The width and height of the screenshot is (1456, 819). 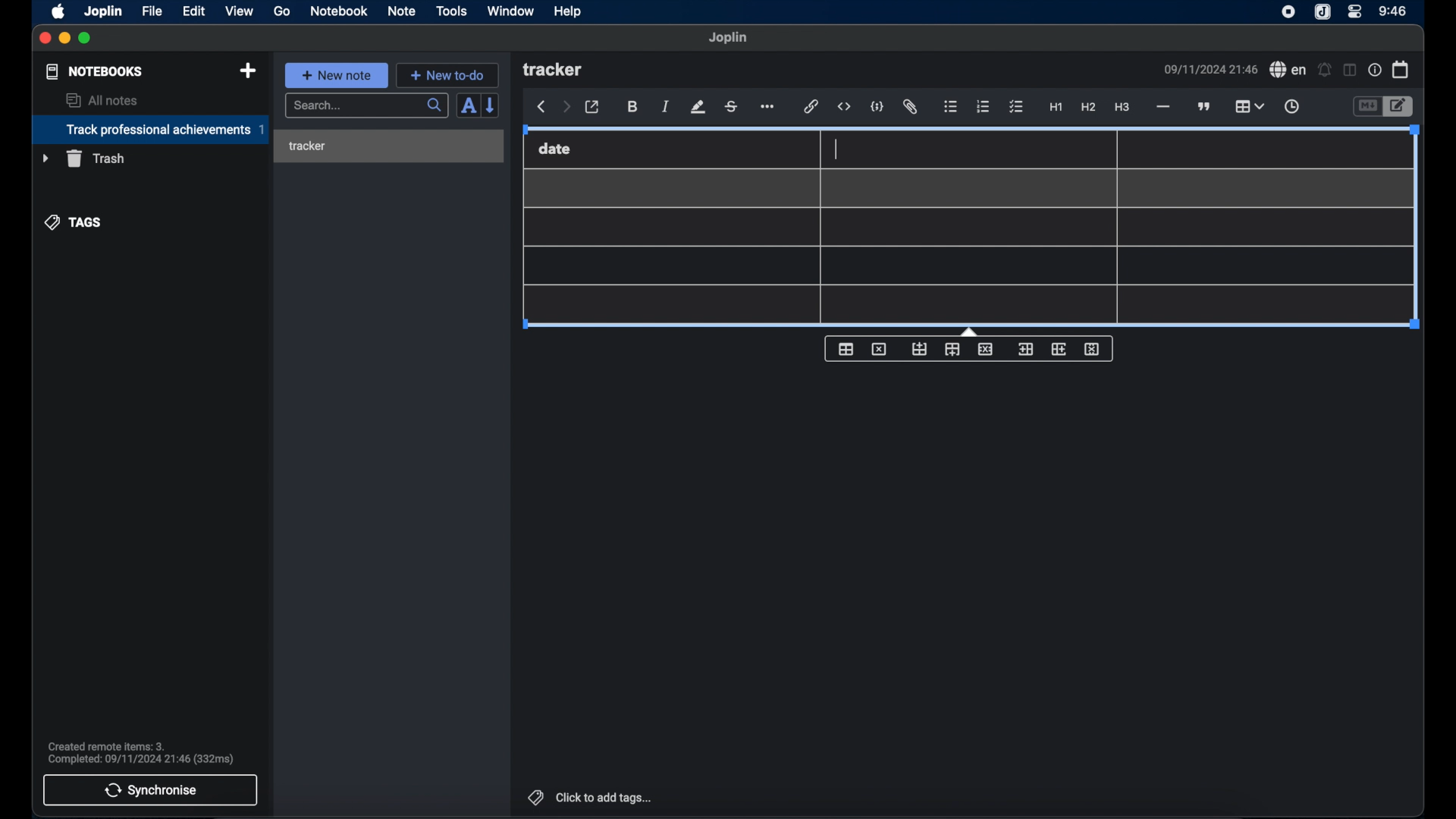 I want to click on insert column after, so click(x=1059, y=349).